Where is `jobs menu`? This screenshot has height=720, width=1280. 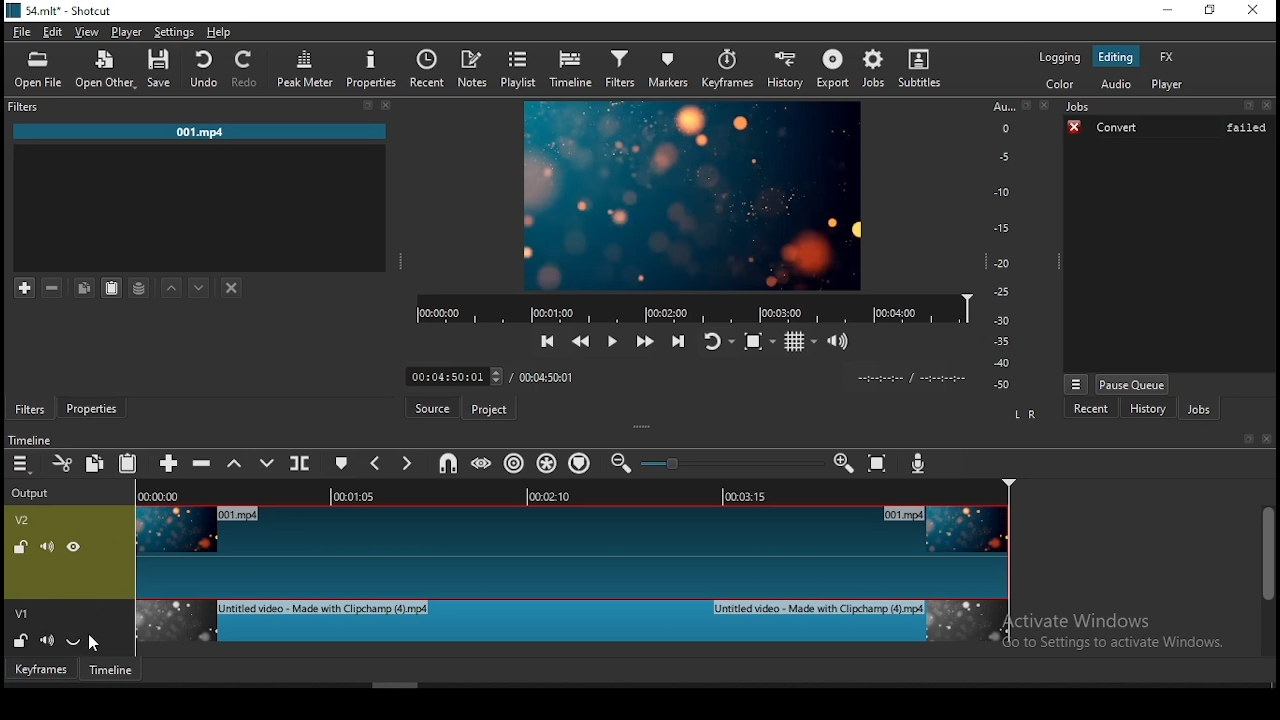 jobs menu is located at coordinates (1078, 384).